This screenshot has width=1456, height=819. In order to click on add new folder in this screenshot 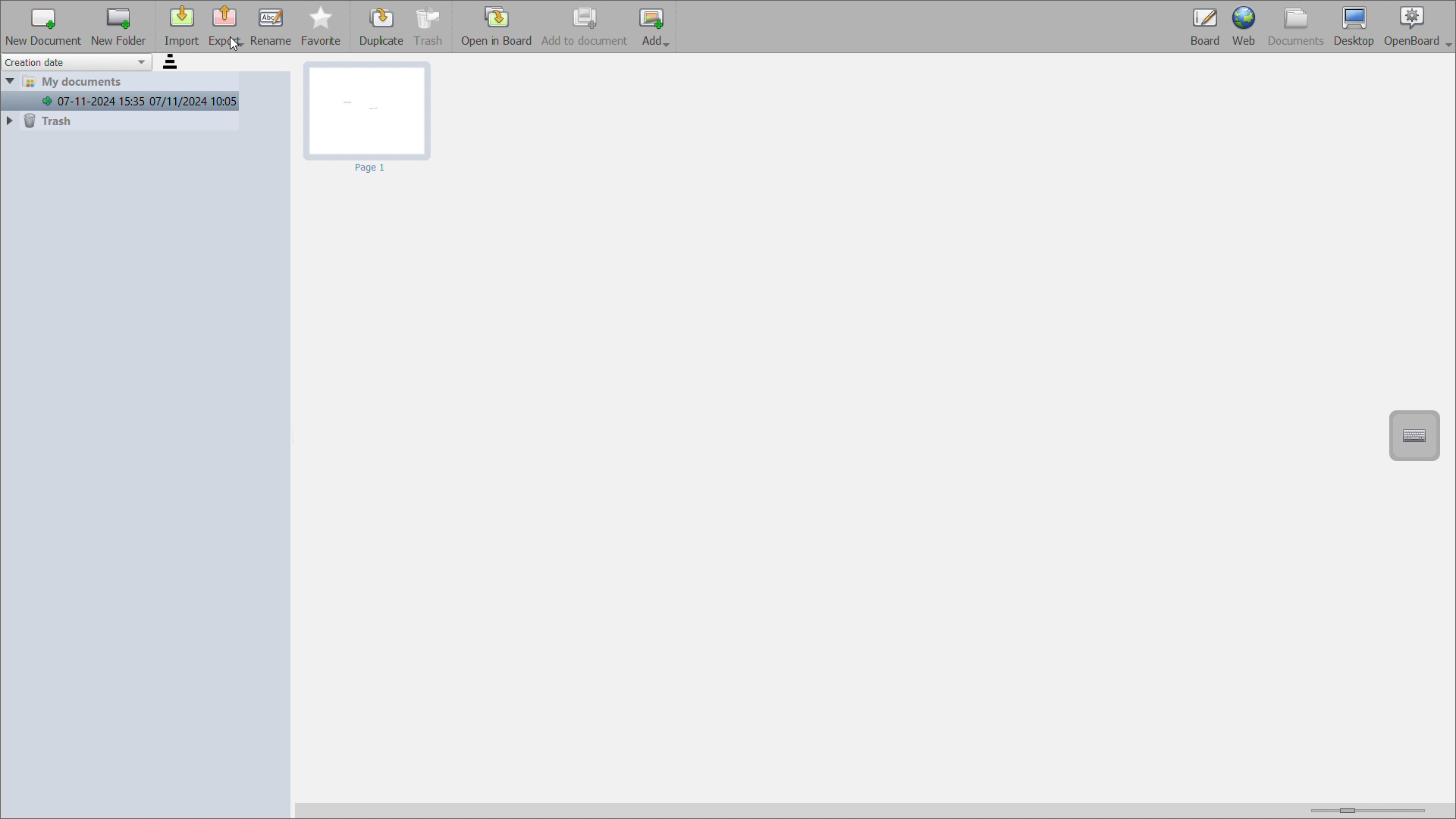, I will do `click(119, 27)`.